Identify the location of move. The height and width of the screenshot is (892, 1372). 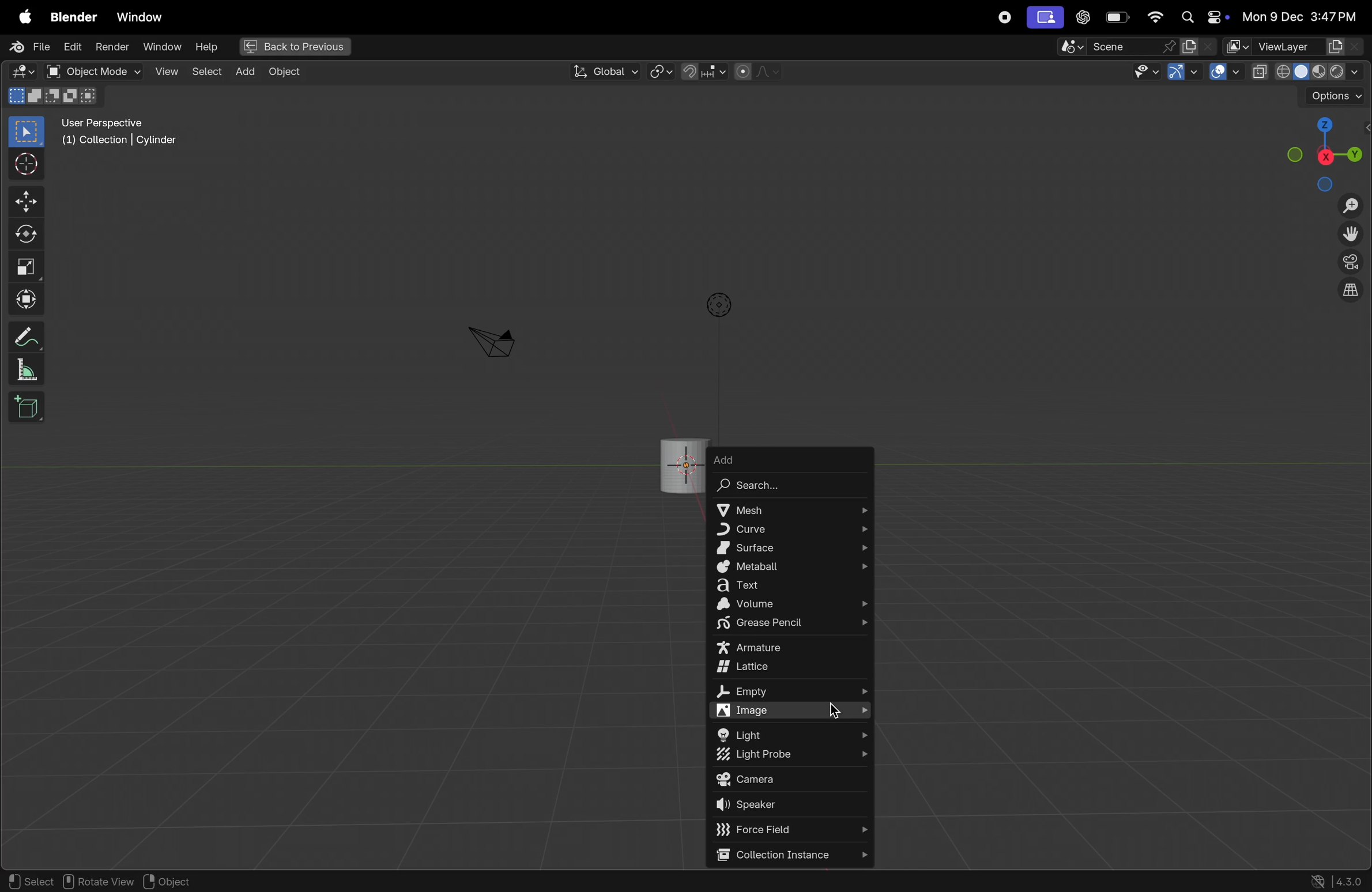
(24, 202).